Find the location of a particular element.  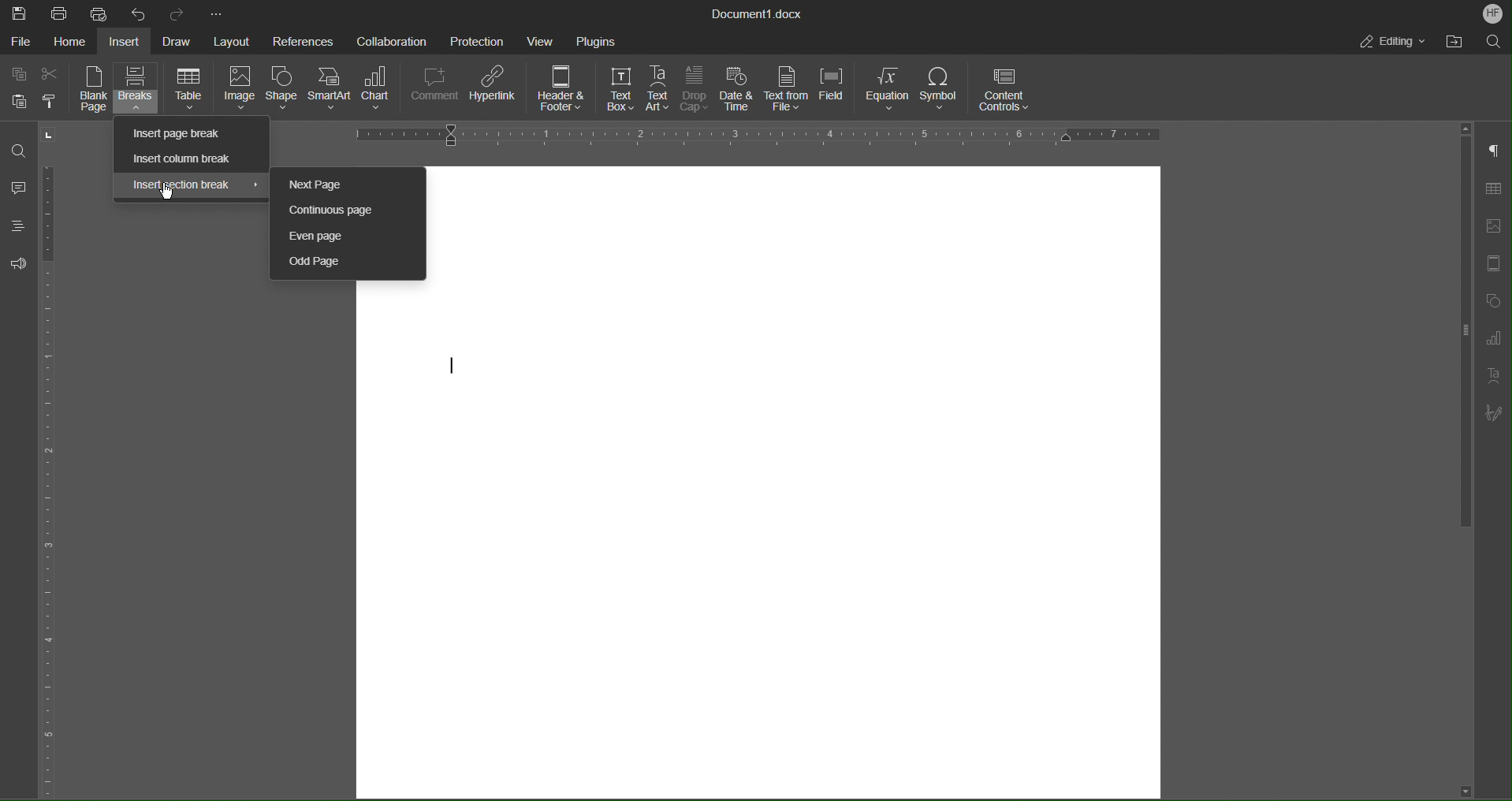

Protection is located at coordinates (471, 38).